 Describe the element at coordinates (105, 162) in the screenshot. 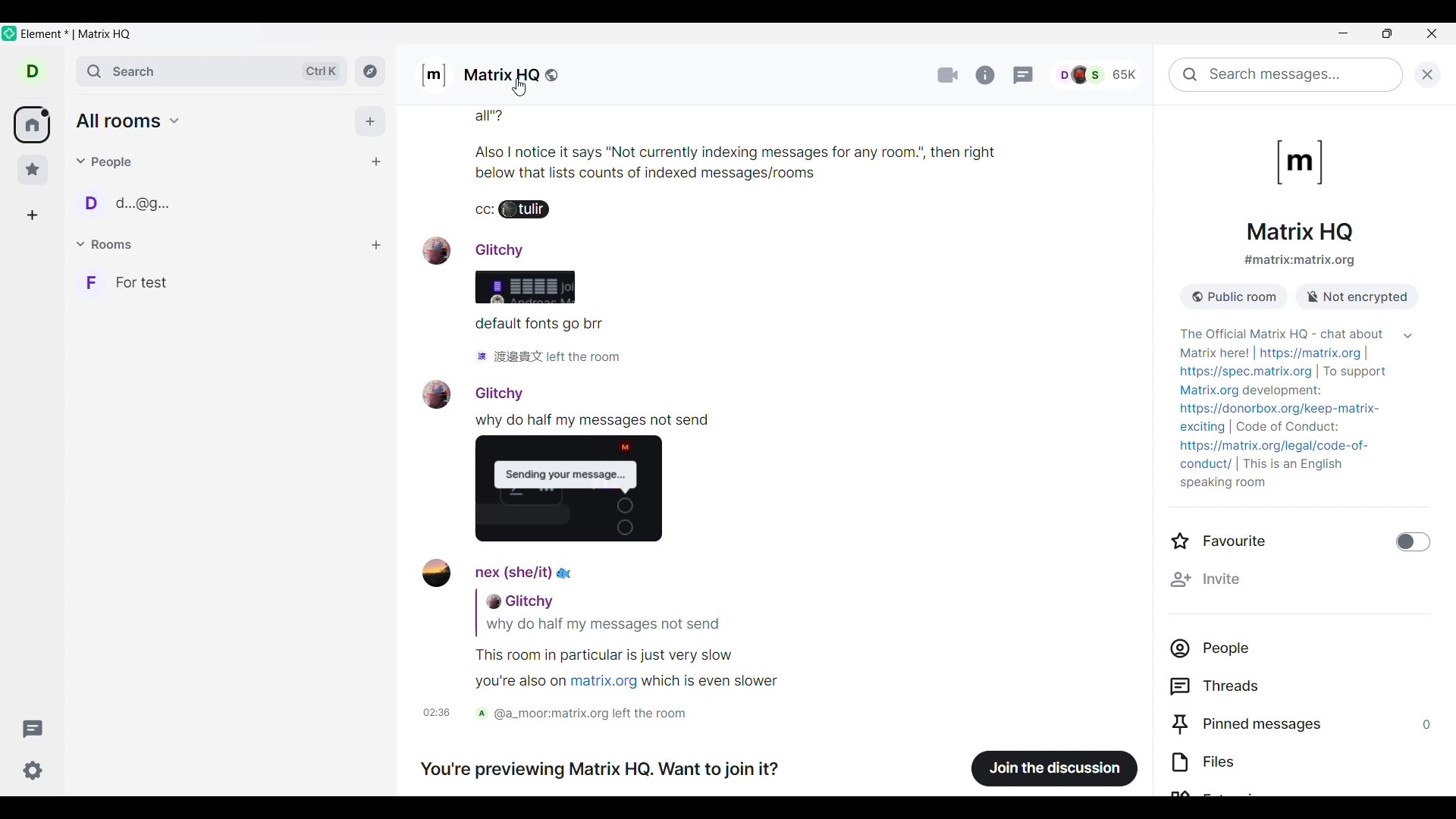

I see `People` at that location.